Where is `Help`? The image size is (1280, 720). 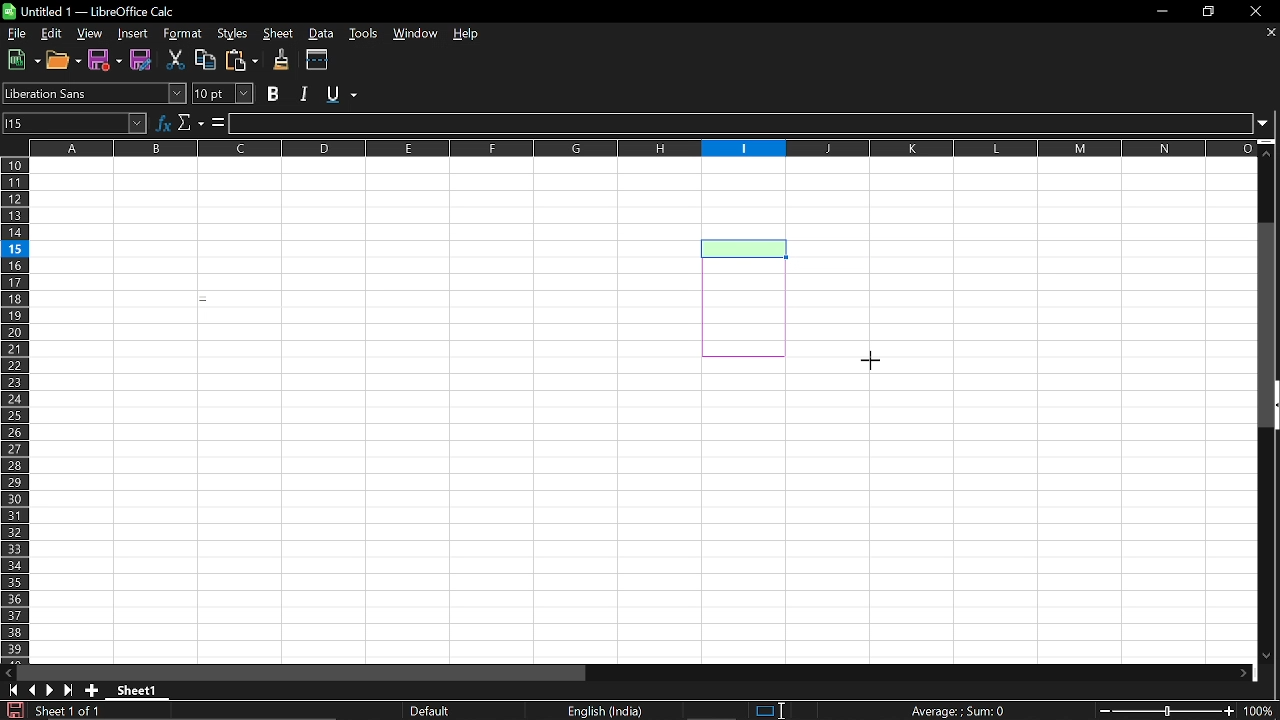
Help is located at coordinates (467, 36).